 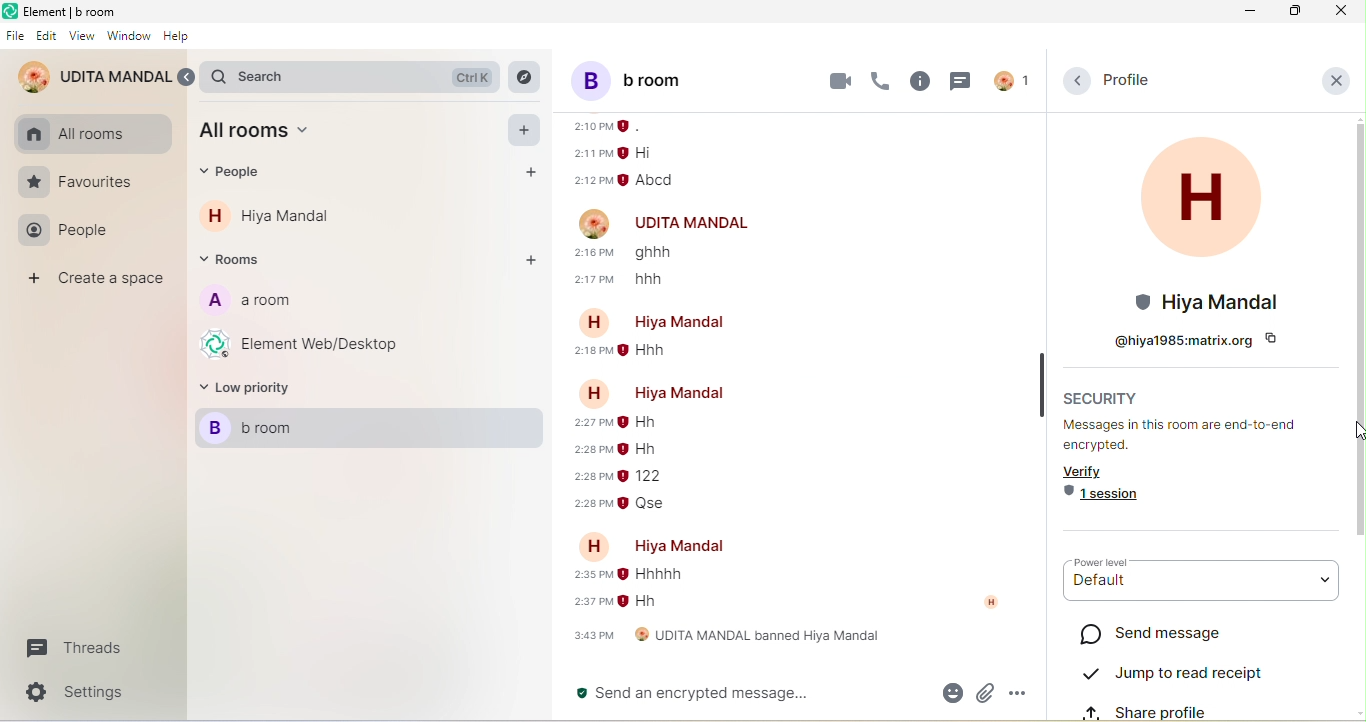 I want to click on element web/desktop, so click(x=306, y=343).